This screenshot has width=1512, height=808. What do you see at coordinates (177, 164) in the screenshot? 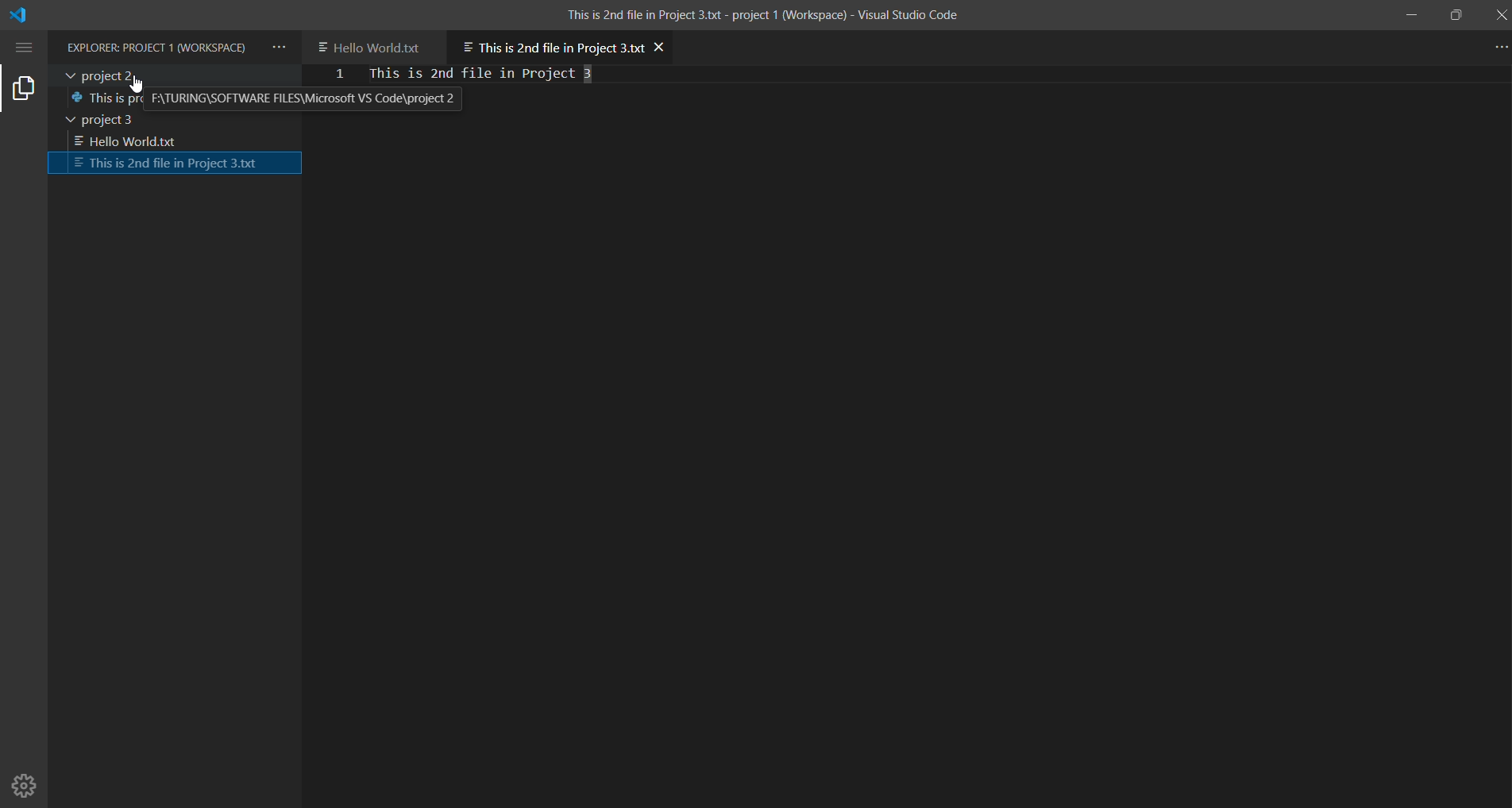
I see `Cut File` at bounding box center [177, 164].